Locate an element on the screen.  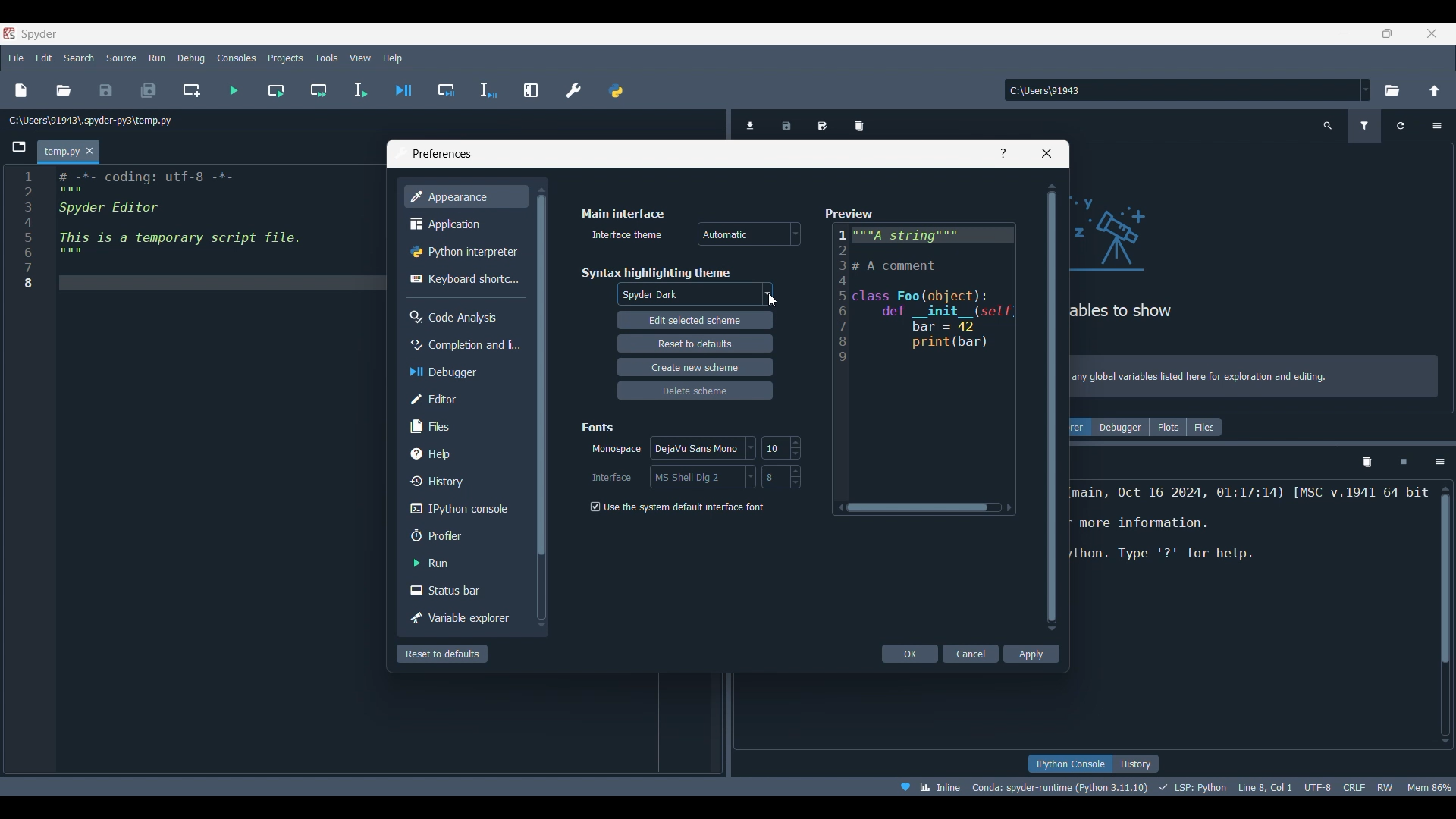
Show interface in a smaller tab is located at coordinates (1387, 33).